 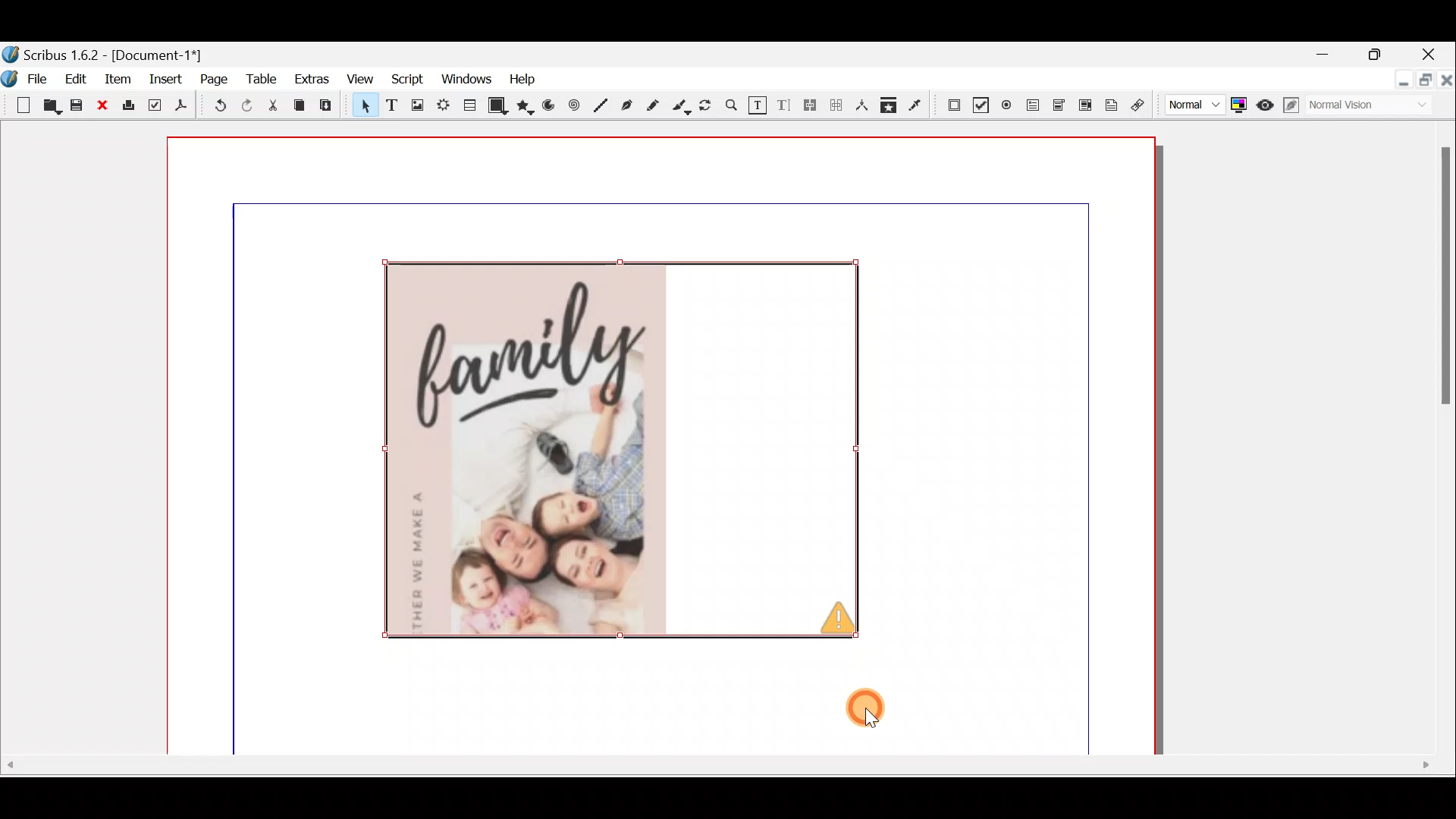 I want to click on cursor, so click(x=868, y=707).